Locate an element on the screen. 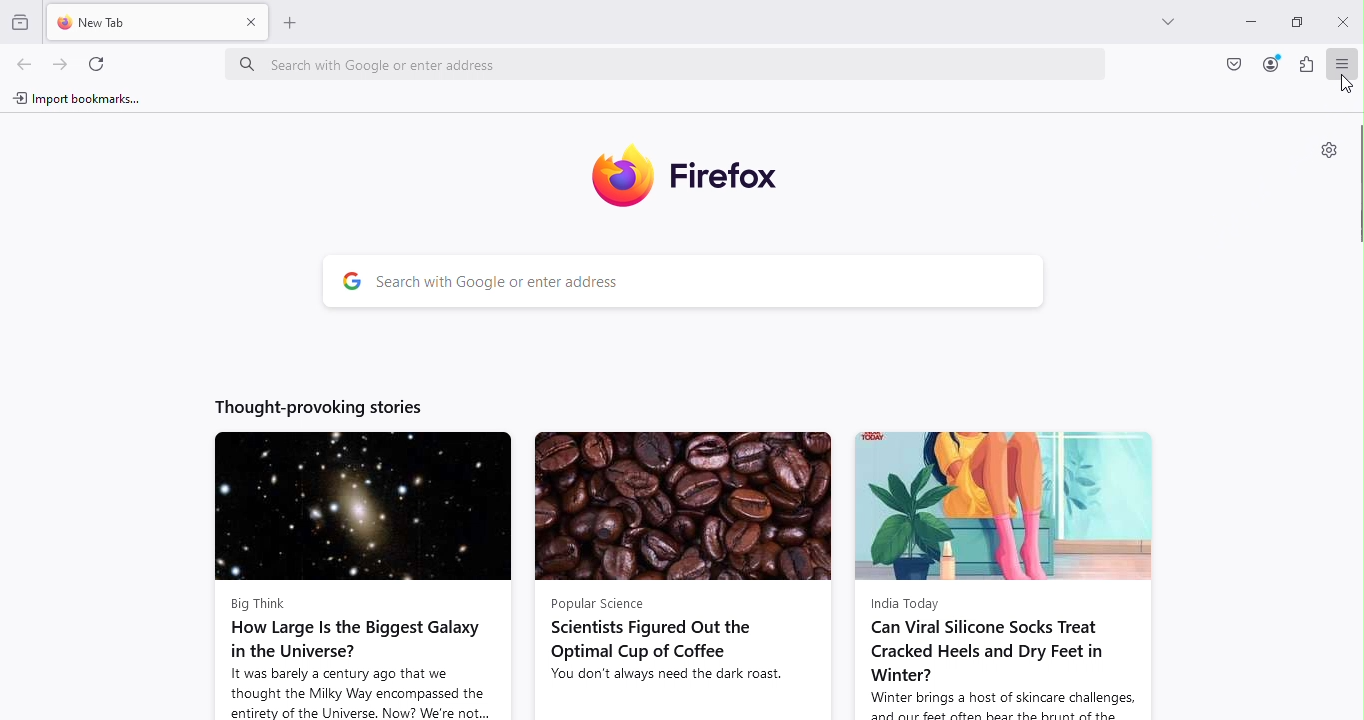 The image size is (1364, 720). news article by popular science is located at coordinates (681, 575).